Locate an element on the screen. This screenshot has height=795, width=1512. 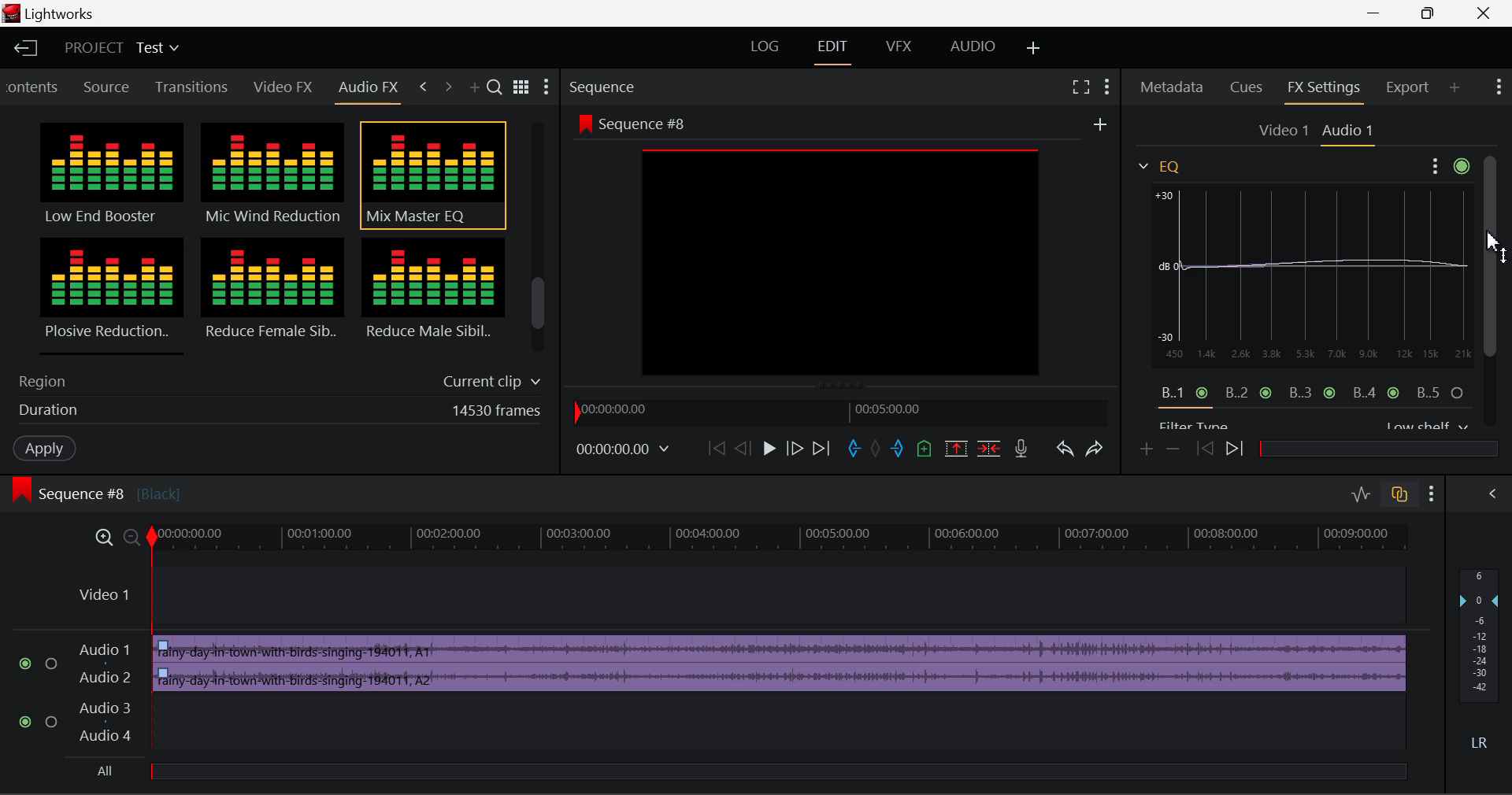
Add Panel is located at coordinates (1455, 89).